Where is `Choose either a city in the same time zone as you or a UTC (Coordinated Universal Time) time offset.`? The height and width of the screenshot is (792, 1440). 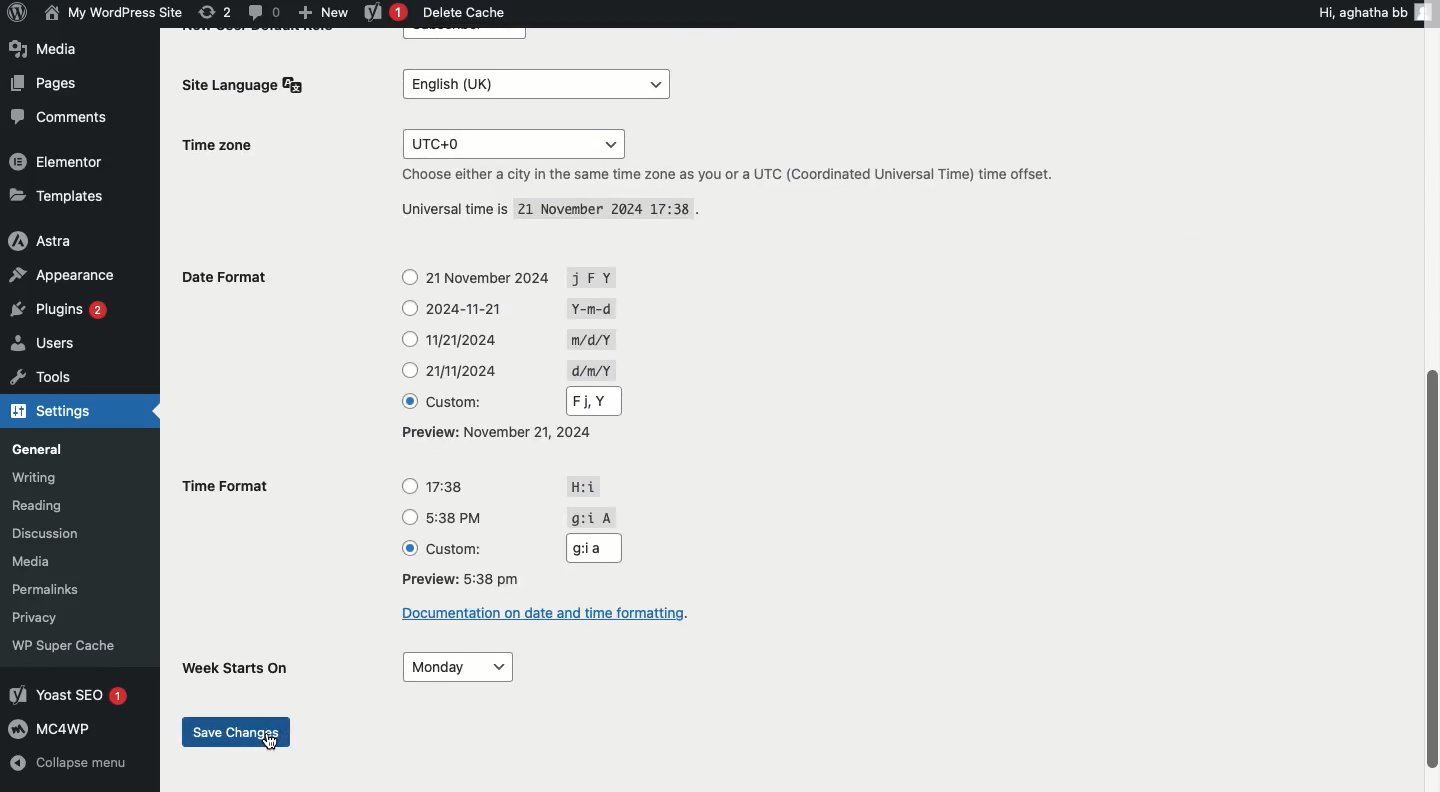
Choose either a city in the same time zone as you or a UTC (Coordinated Universal Time) time offset. is located at coordinates (759, 175).